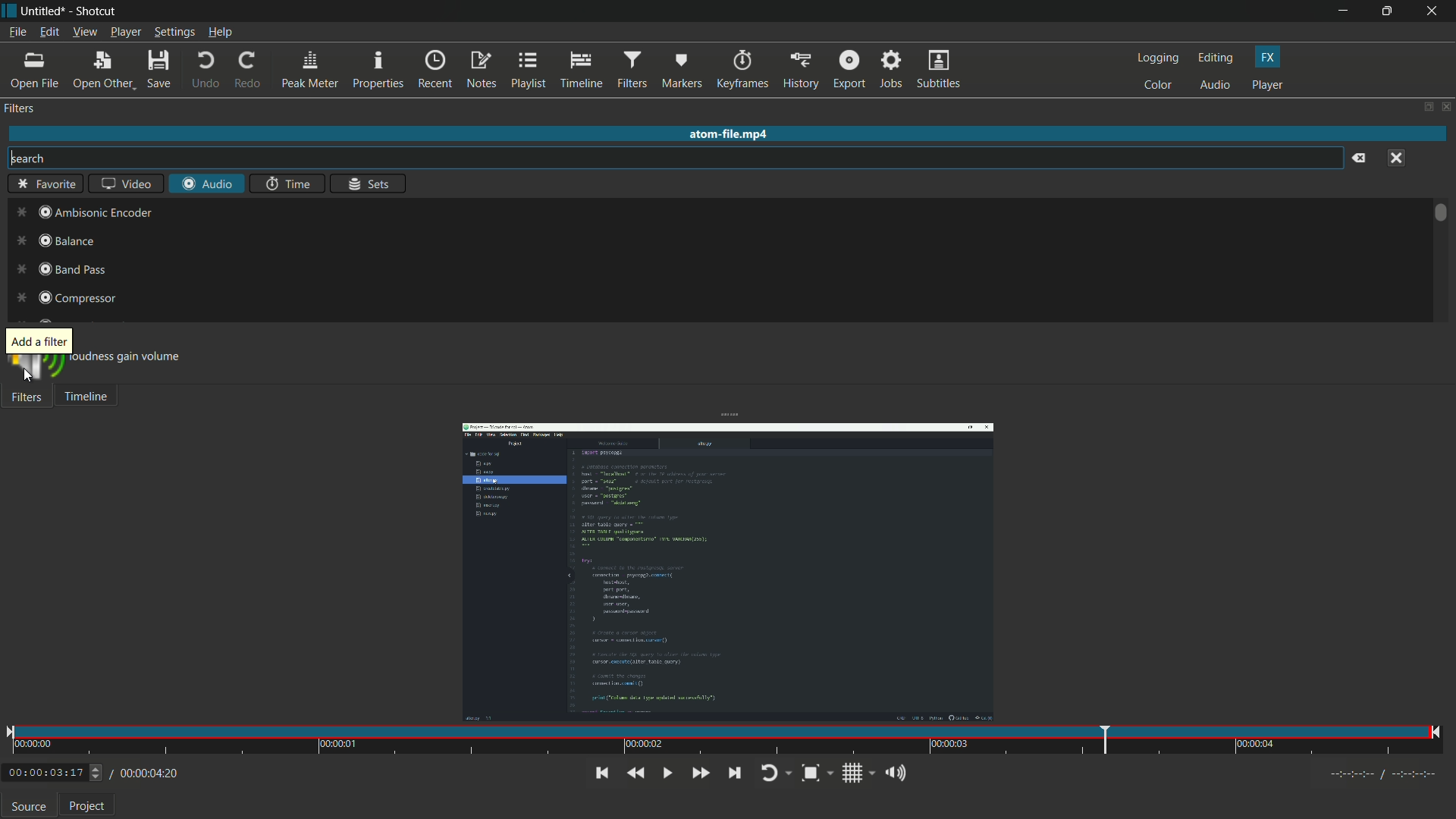 This screenshot has width=1456, height=819. Describe the element at coordinates (126, 183) in the screenshot. I see `video` at that location.